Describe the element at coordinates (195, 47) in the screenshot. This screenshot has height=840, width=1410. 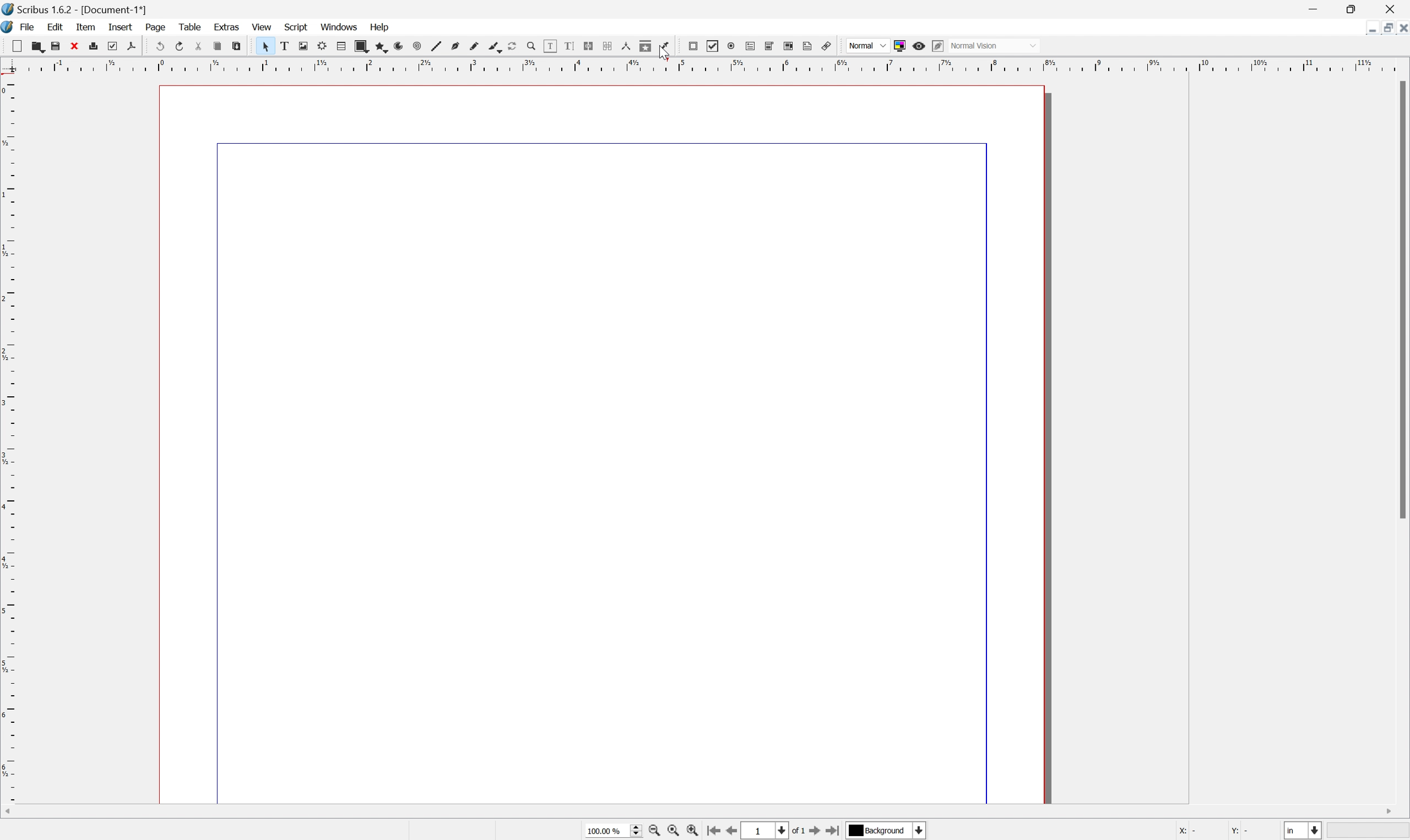
I see `cut` at that location.